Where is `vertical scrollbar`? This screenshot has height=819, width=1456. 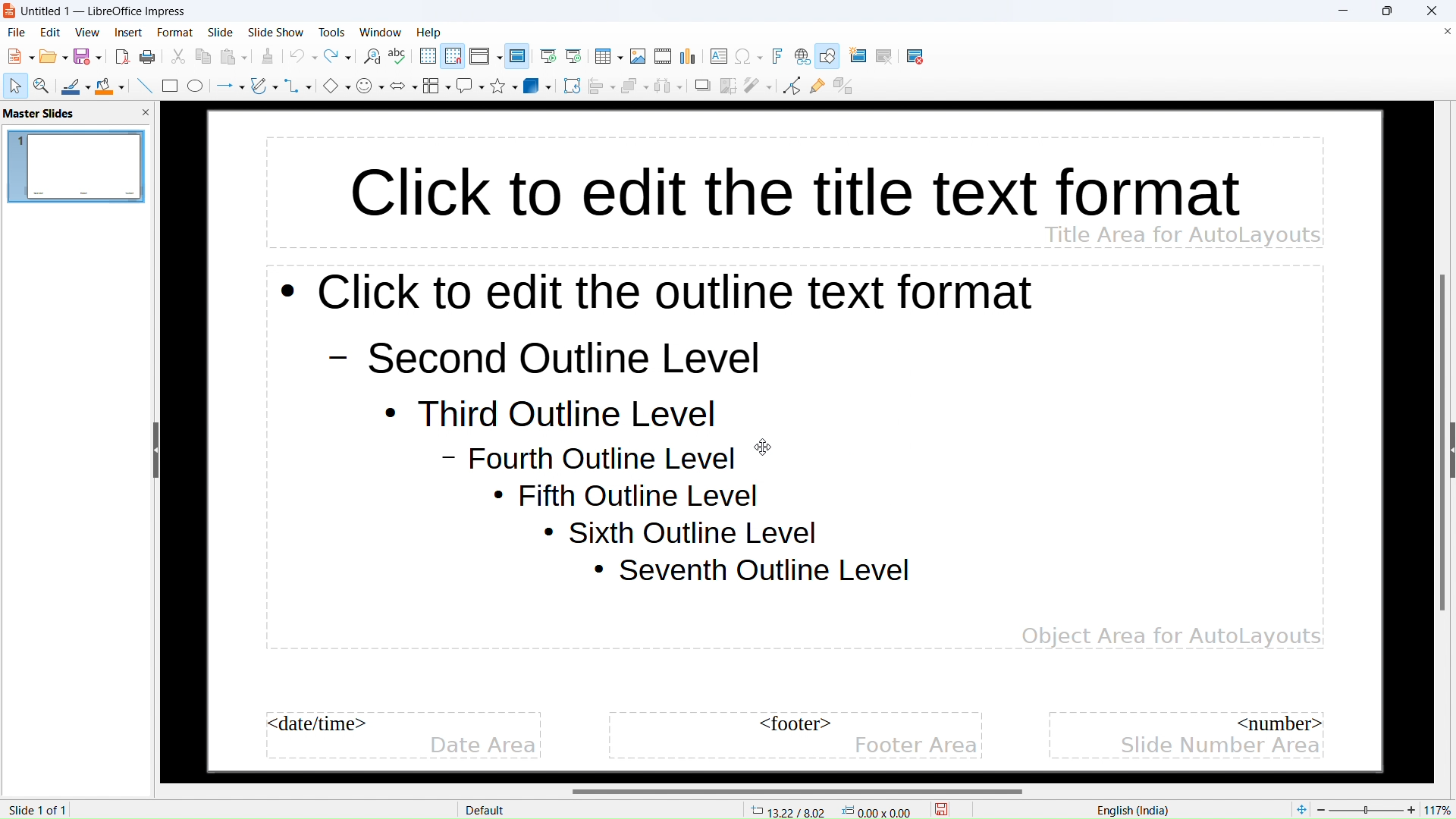
vertical scrollbar is located at coordinates (1440, 443).